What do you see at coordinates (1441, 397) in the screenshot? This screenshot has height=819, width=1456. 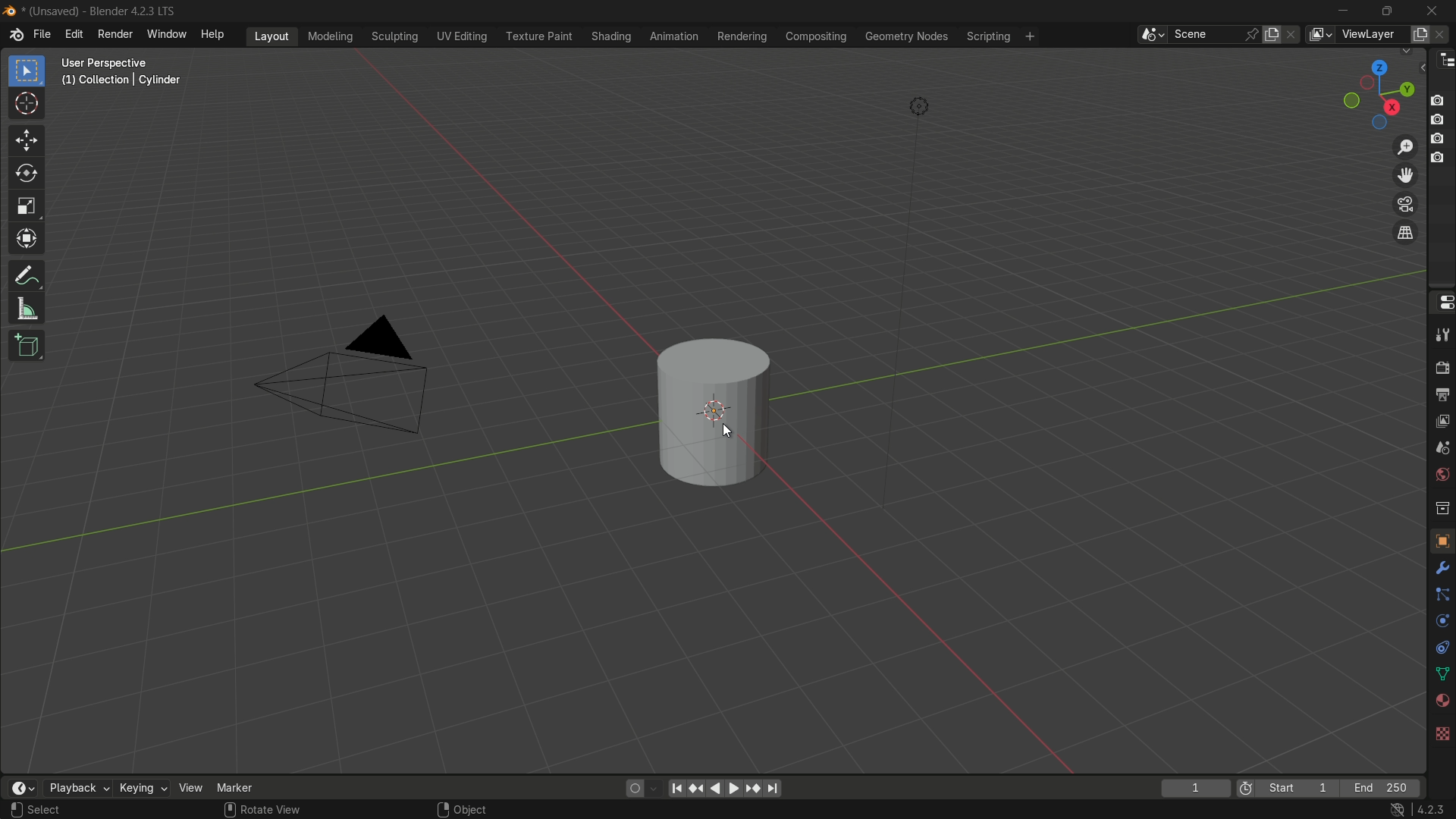 I see `output` at bounding box center [1441, 397].